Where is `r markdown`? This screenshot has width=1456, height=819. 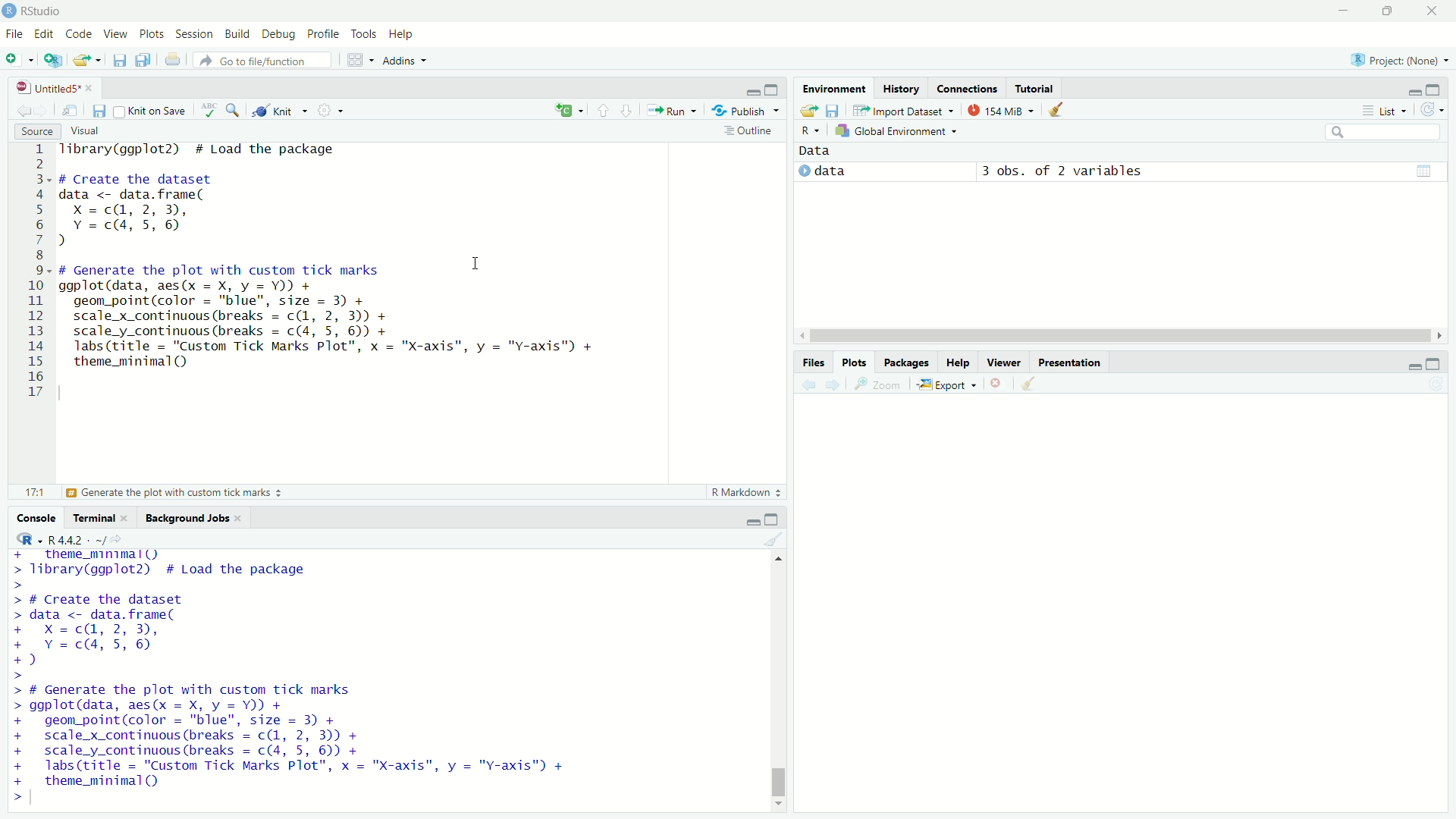 r markdown is located at coordinates (742, 491).